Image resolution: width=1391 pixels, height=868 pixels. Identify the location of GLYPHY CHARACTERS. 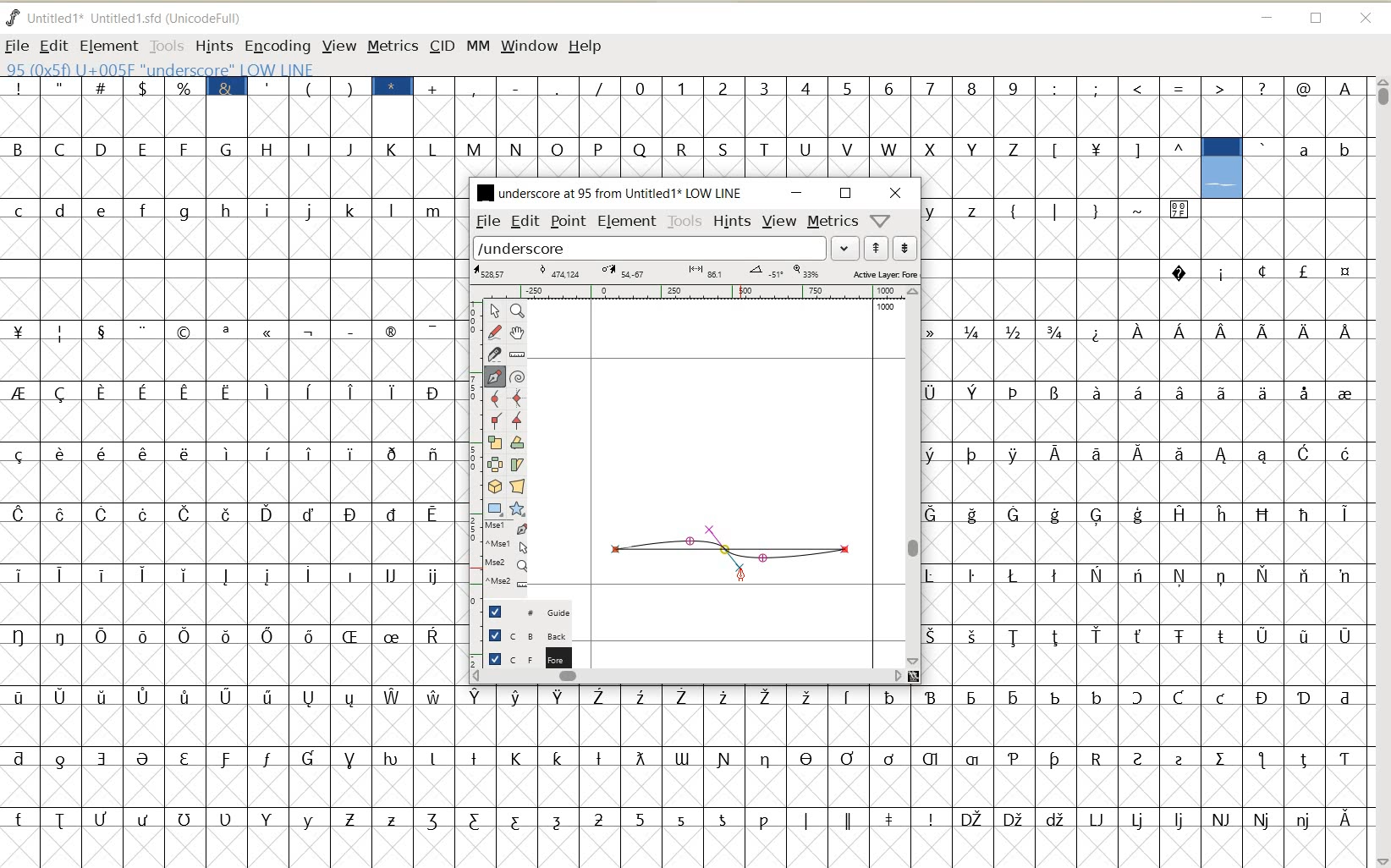
(1311, 167).